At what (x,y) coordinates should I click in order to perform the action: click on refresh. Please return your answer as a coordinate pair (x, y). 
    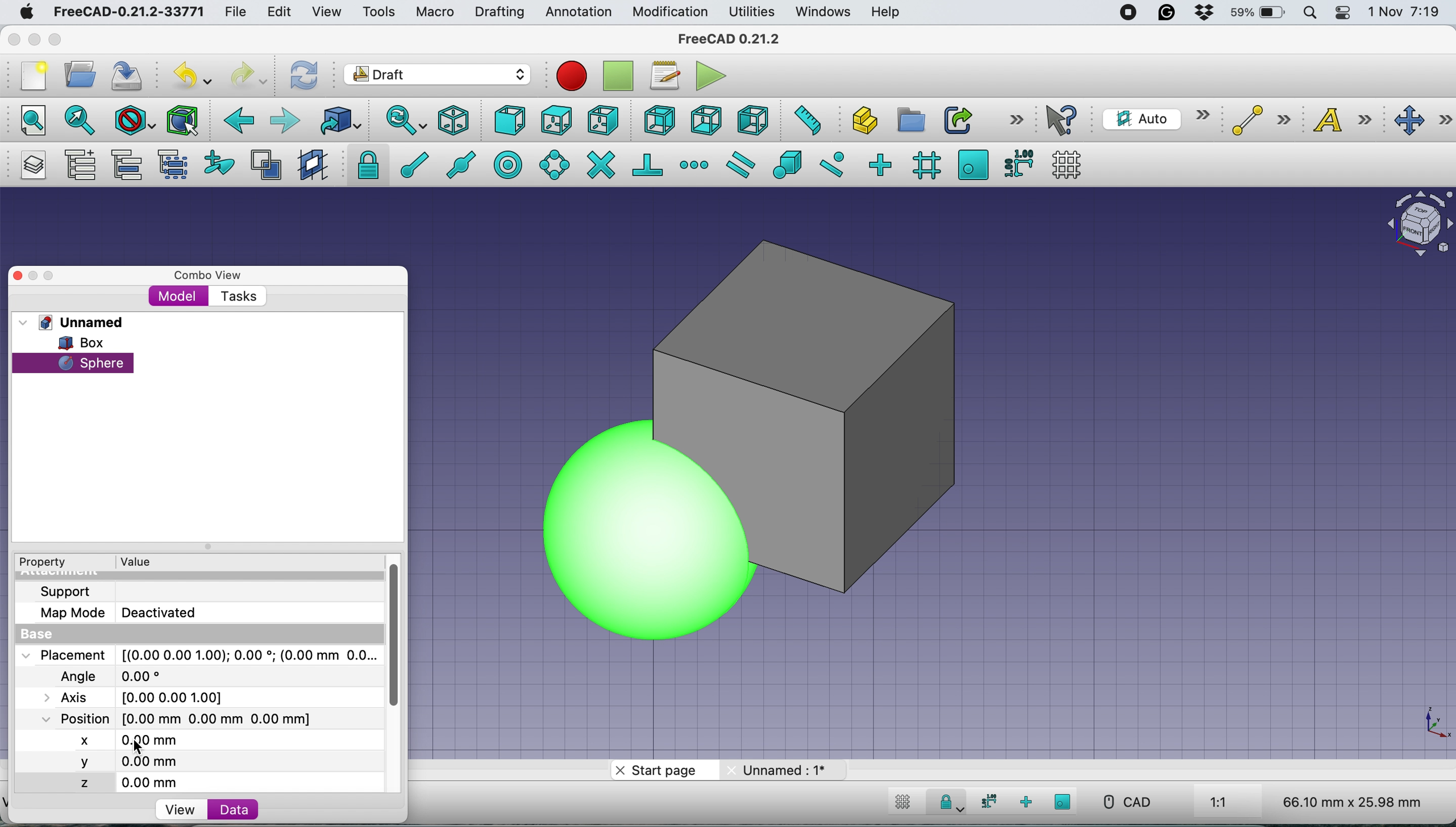
    Looking at the image, I should click on (302, 74).